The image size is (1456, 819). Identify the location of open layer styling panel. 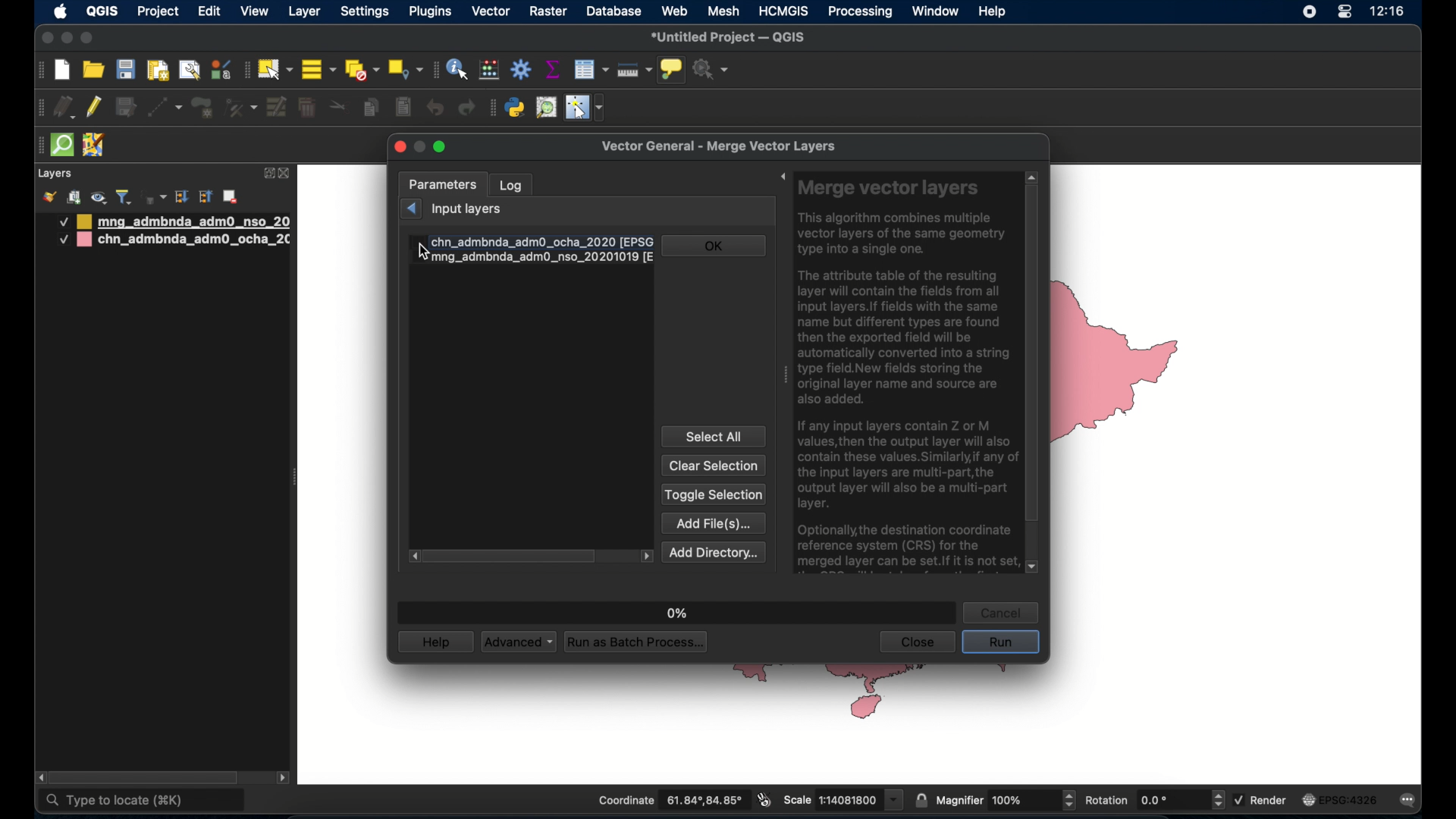
(49, 197).